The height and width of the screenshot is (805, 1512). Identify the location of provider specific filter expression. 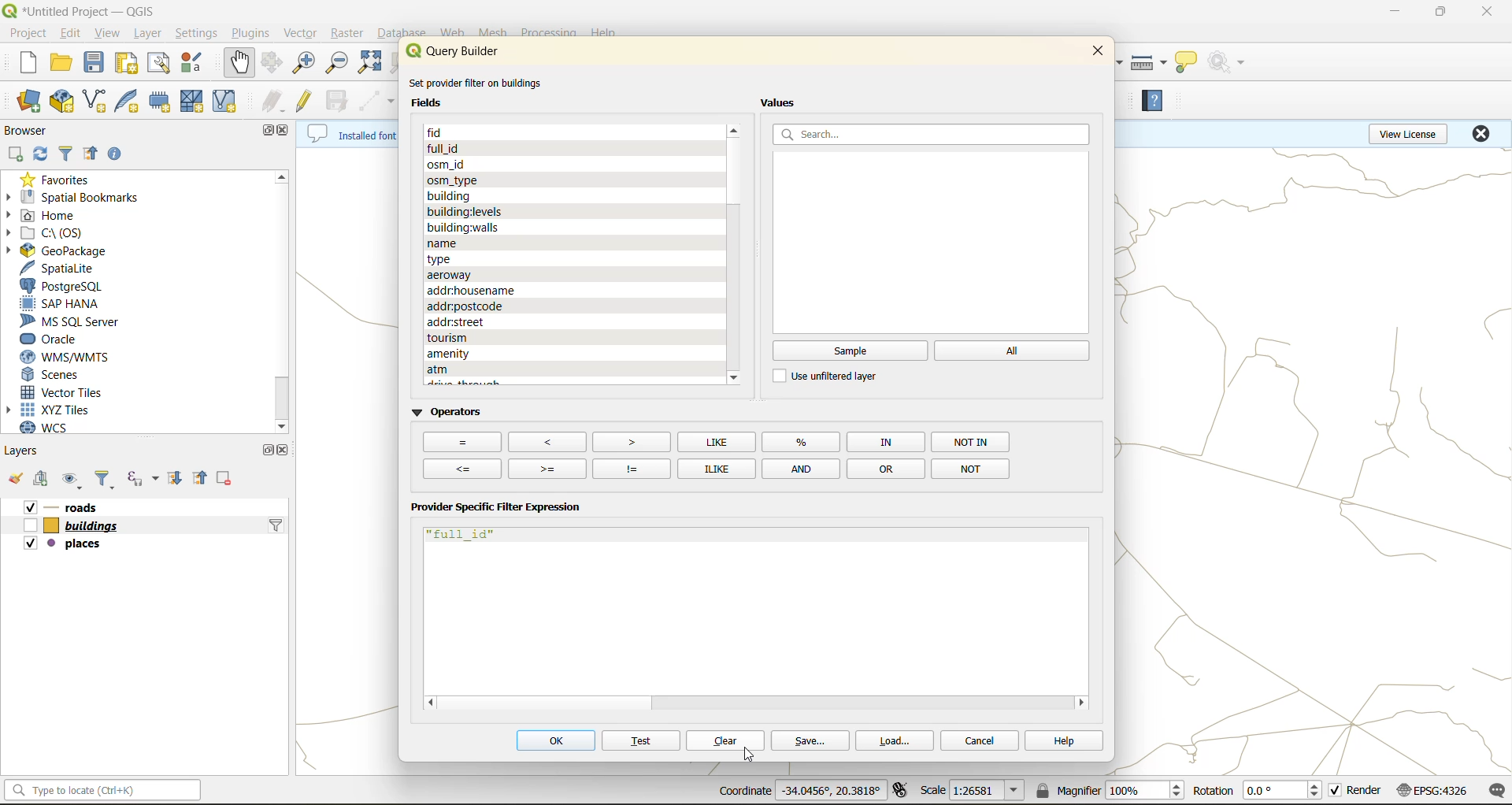
(497, 510).